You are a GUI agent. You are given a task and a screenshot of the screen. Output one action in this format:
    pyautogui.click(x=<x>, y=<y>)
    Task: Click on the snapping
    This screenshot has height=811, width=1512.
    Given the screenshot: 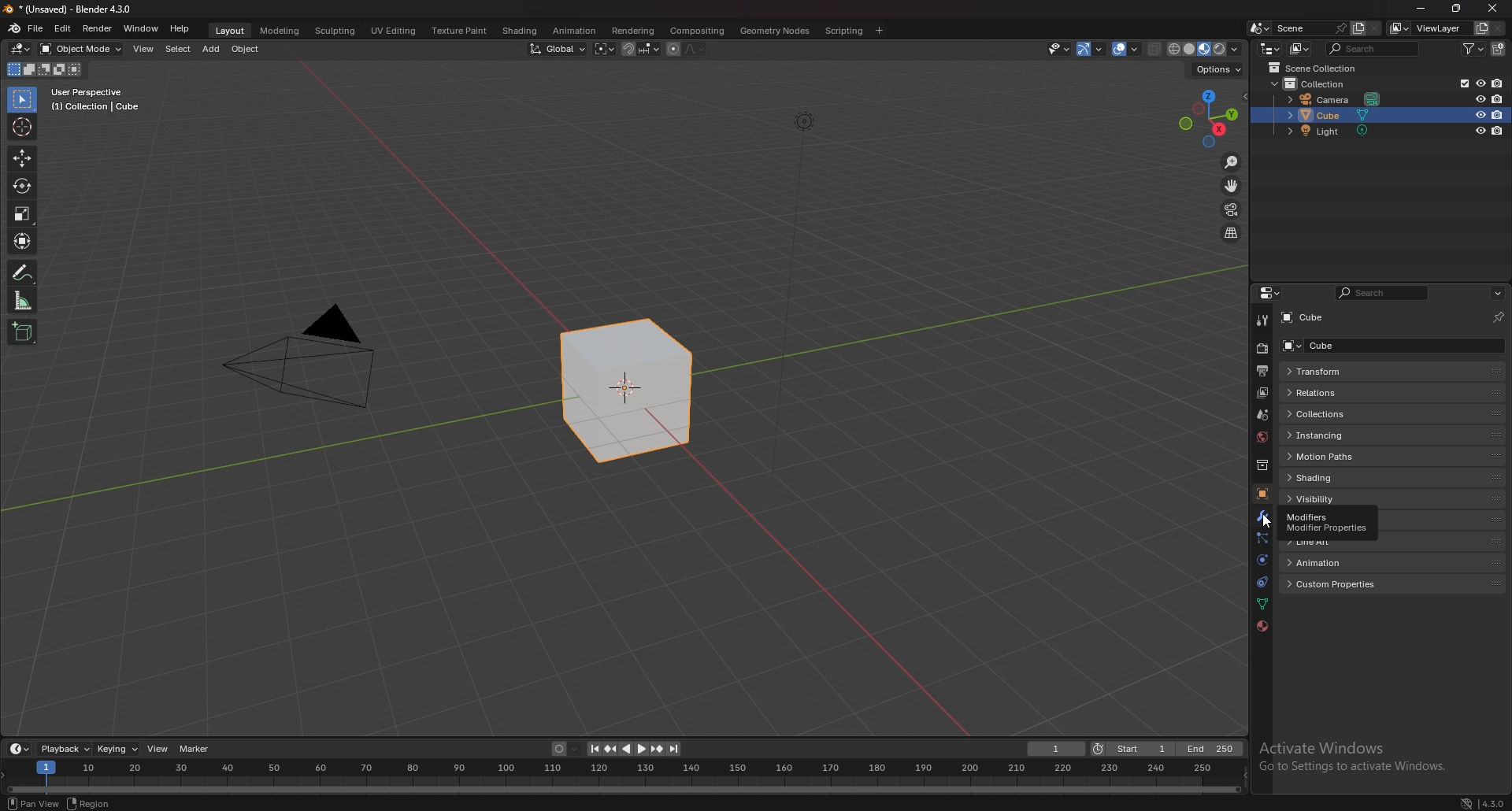 What is the action you would take?
    pyautogui.click(x=641, y=50)
    